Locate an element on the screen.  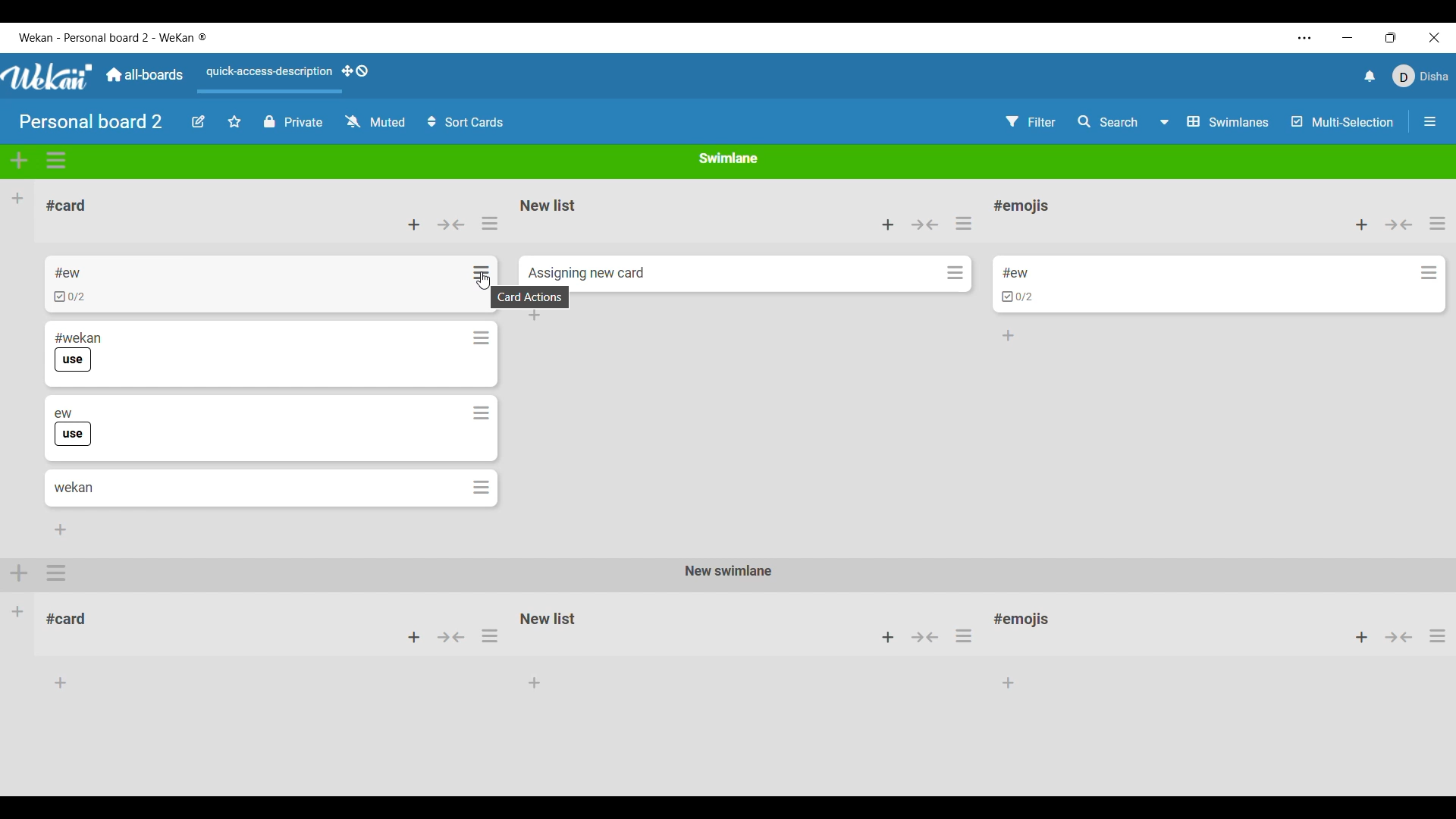
Card actions is located at coordinates (955, 272).